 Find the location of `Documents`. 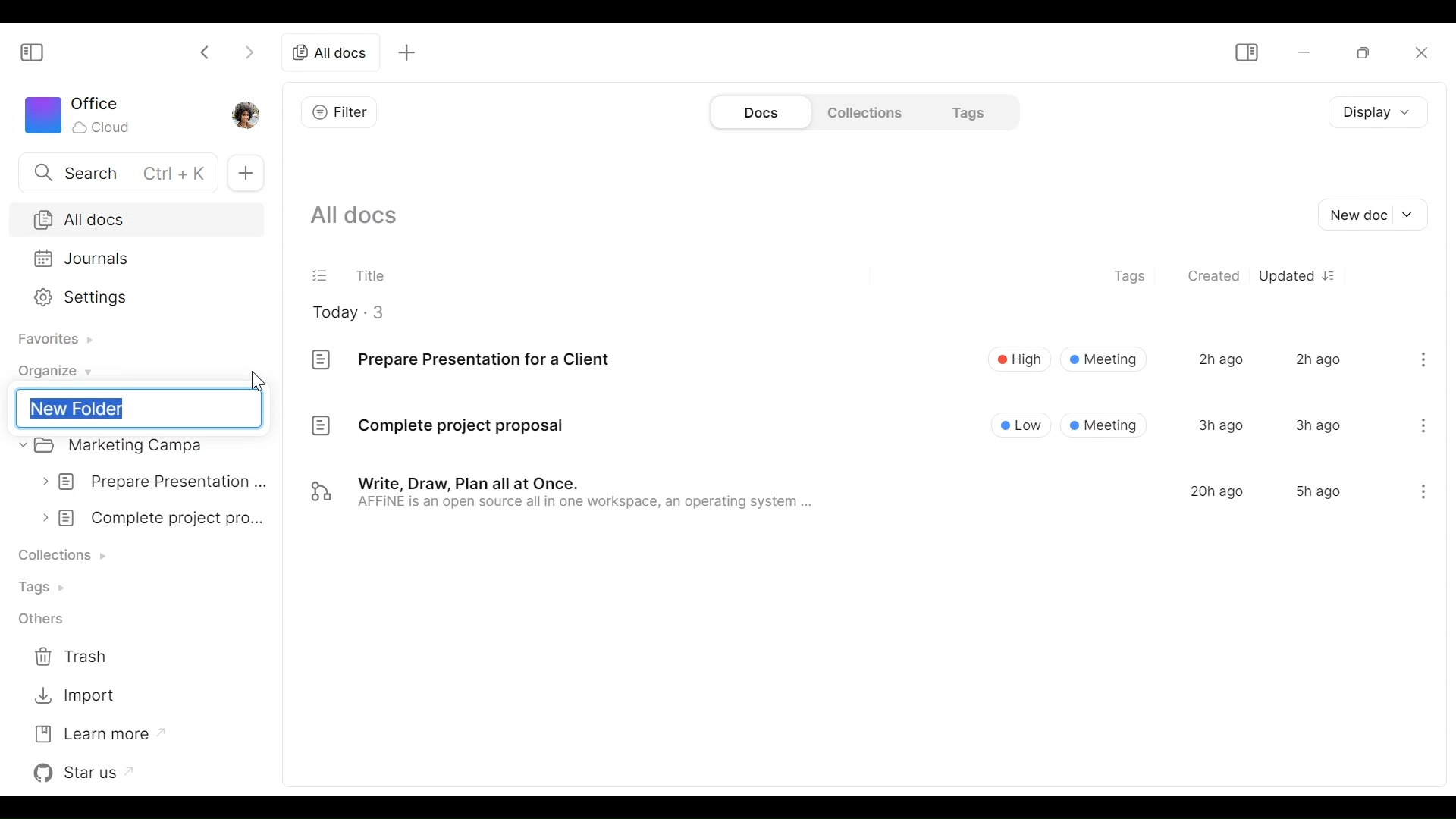

Documents is located at coordinates (759, 112).